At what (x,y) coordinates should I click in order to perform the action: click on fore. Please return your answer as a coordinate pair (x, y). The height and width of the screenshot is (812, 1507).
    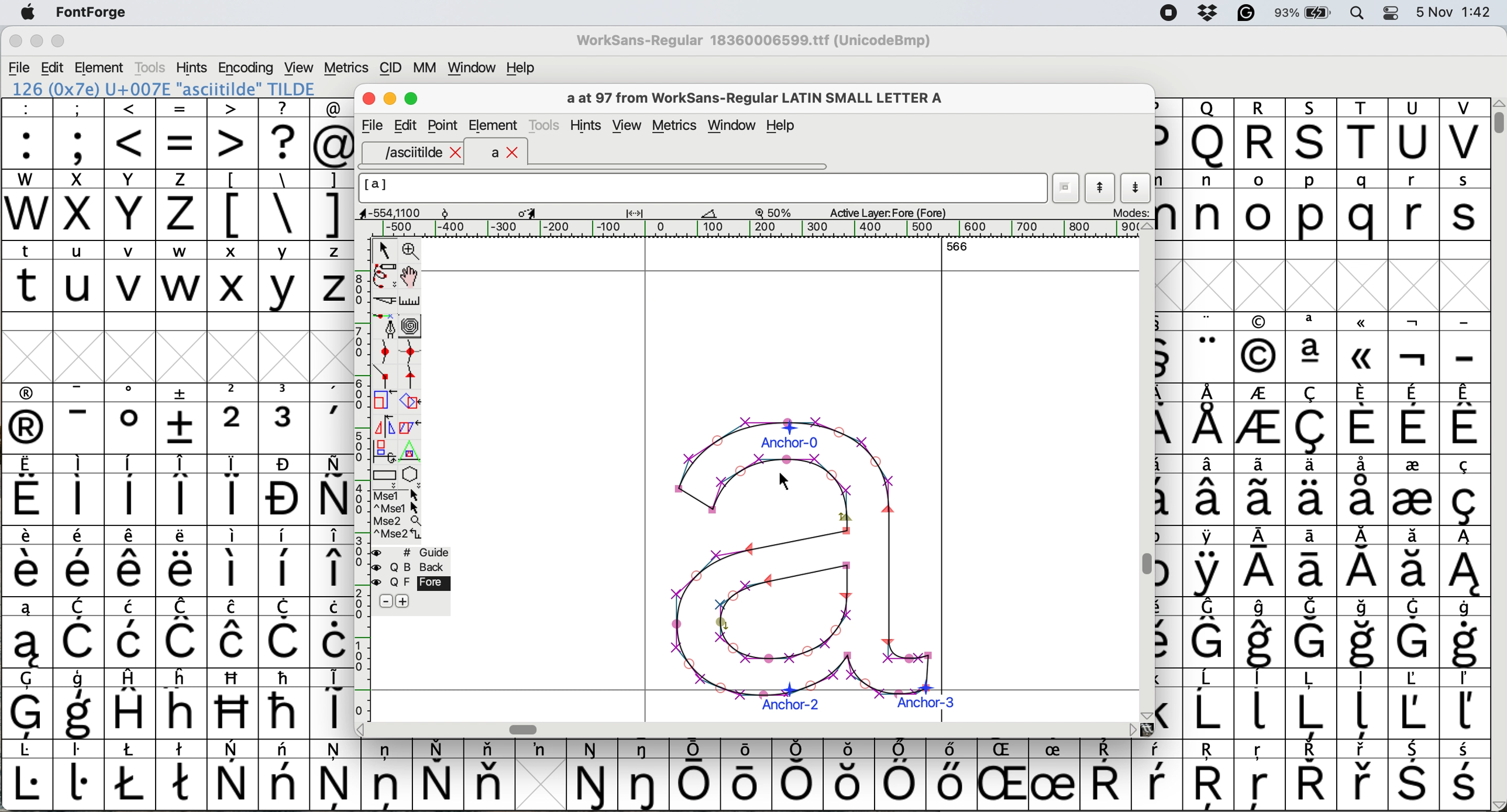
    Looking at the image, I should click on (412, 583).